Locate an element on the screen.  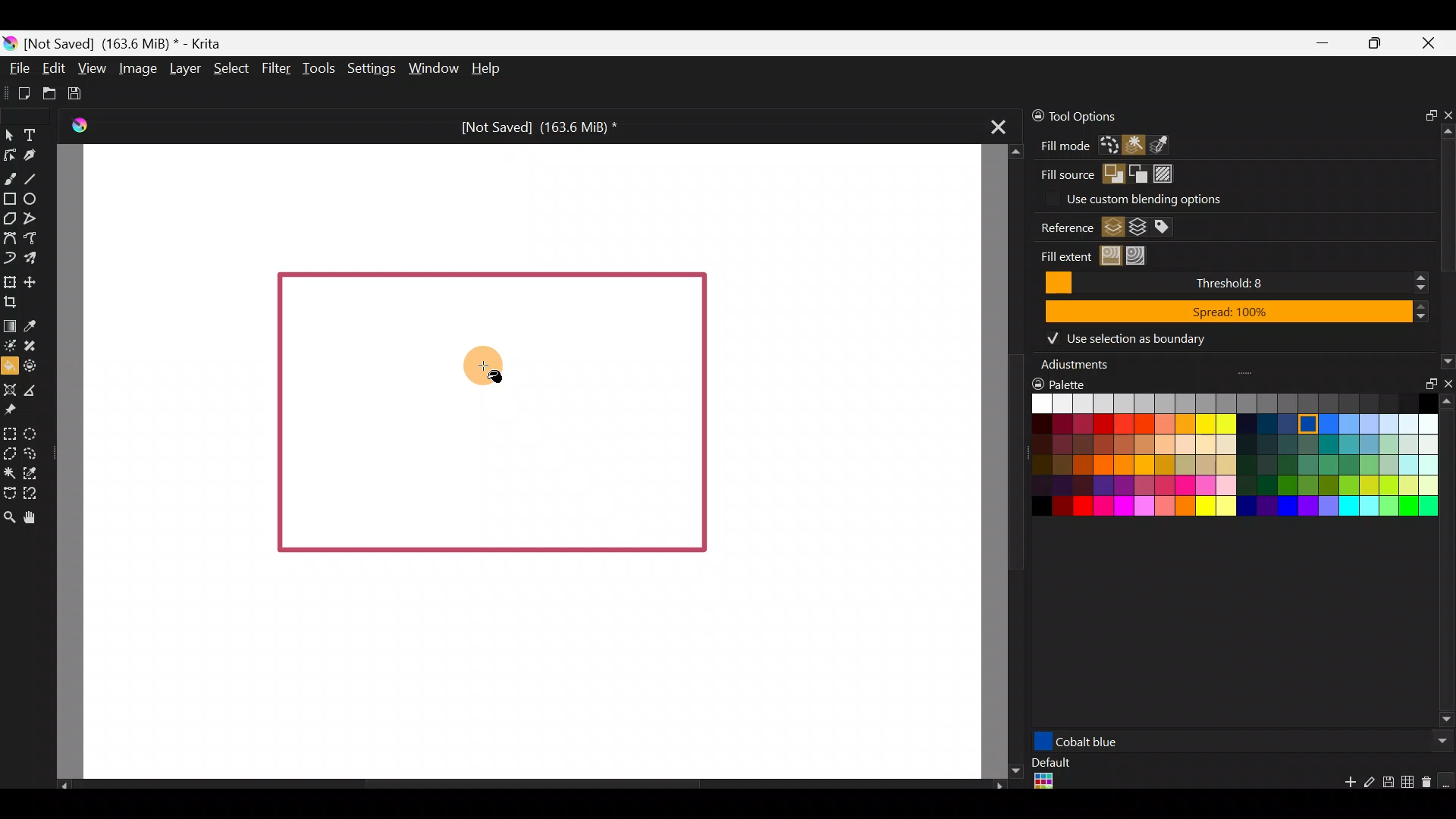
Maximize is located at coordinates (1377, 43).